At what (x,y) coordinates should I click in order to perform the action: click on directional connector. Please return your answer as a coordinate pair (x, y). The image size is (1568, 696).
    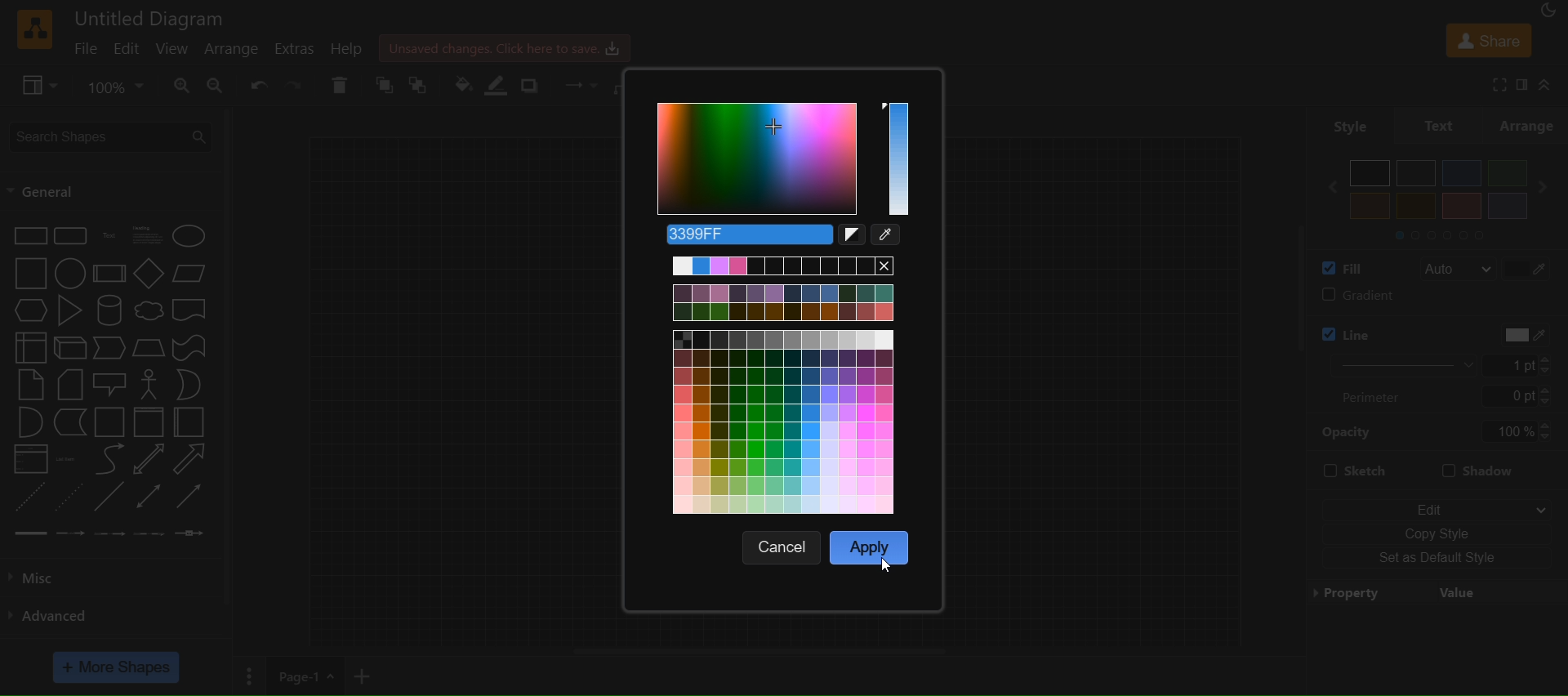
    Looking at the image, I should click on (193, 497).